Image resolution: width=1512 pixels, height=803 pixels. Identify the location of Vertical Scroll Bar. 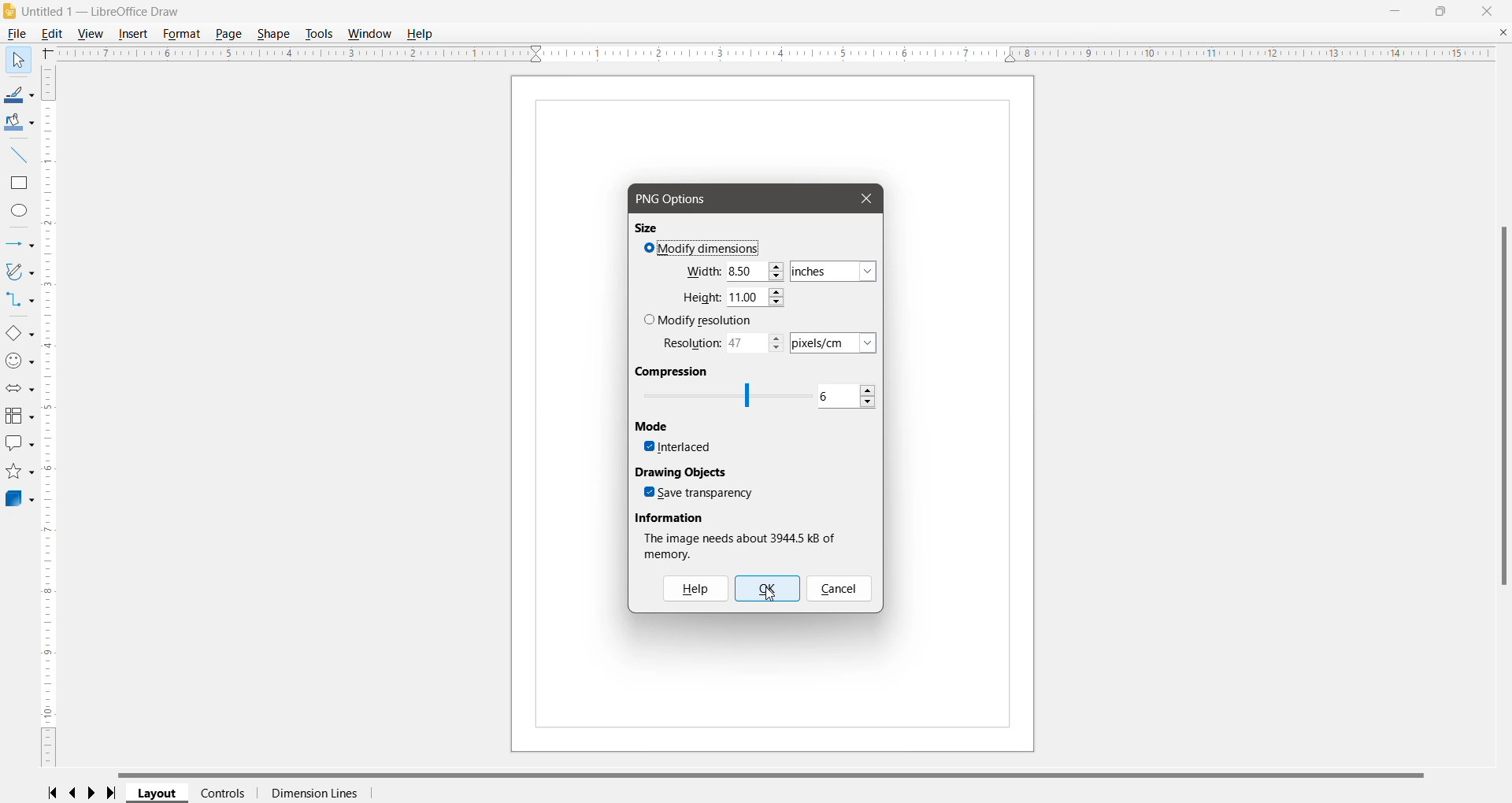
(1501, 405).